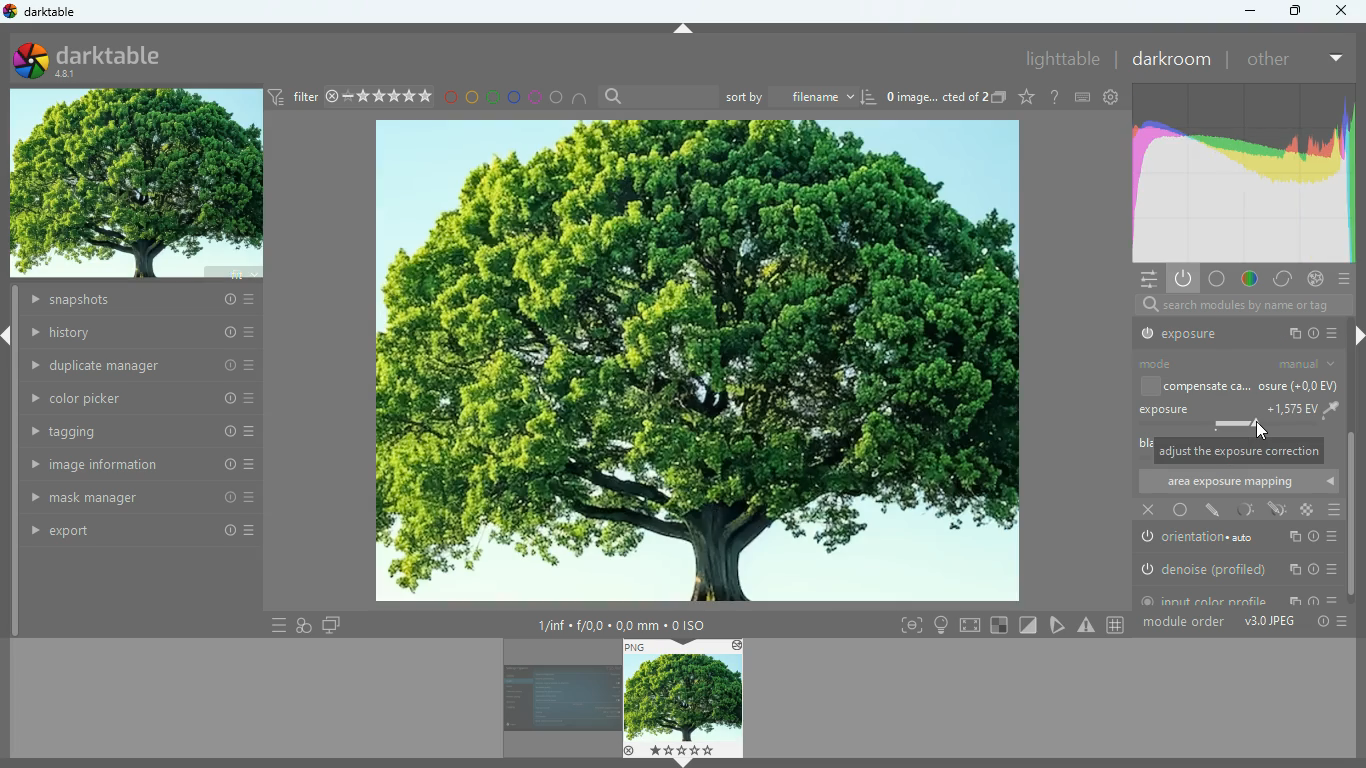 The height and width of the screenshot is (768, 1366). I want to click on more, so click(1335, 59).